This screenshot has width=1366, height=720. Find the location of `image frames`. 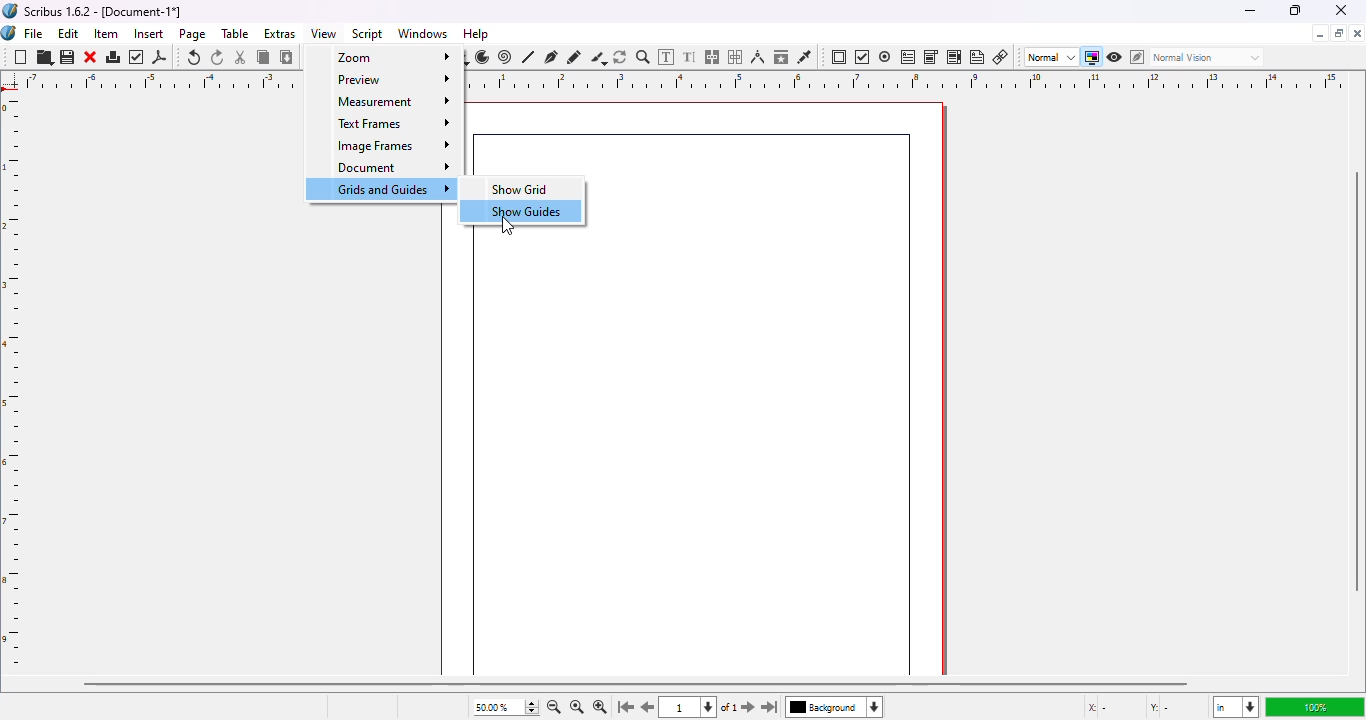

image frames is located at coordinates (384, 146).